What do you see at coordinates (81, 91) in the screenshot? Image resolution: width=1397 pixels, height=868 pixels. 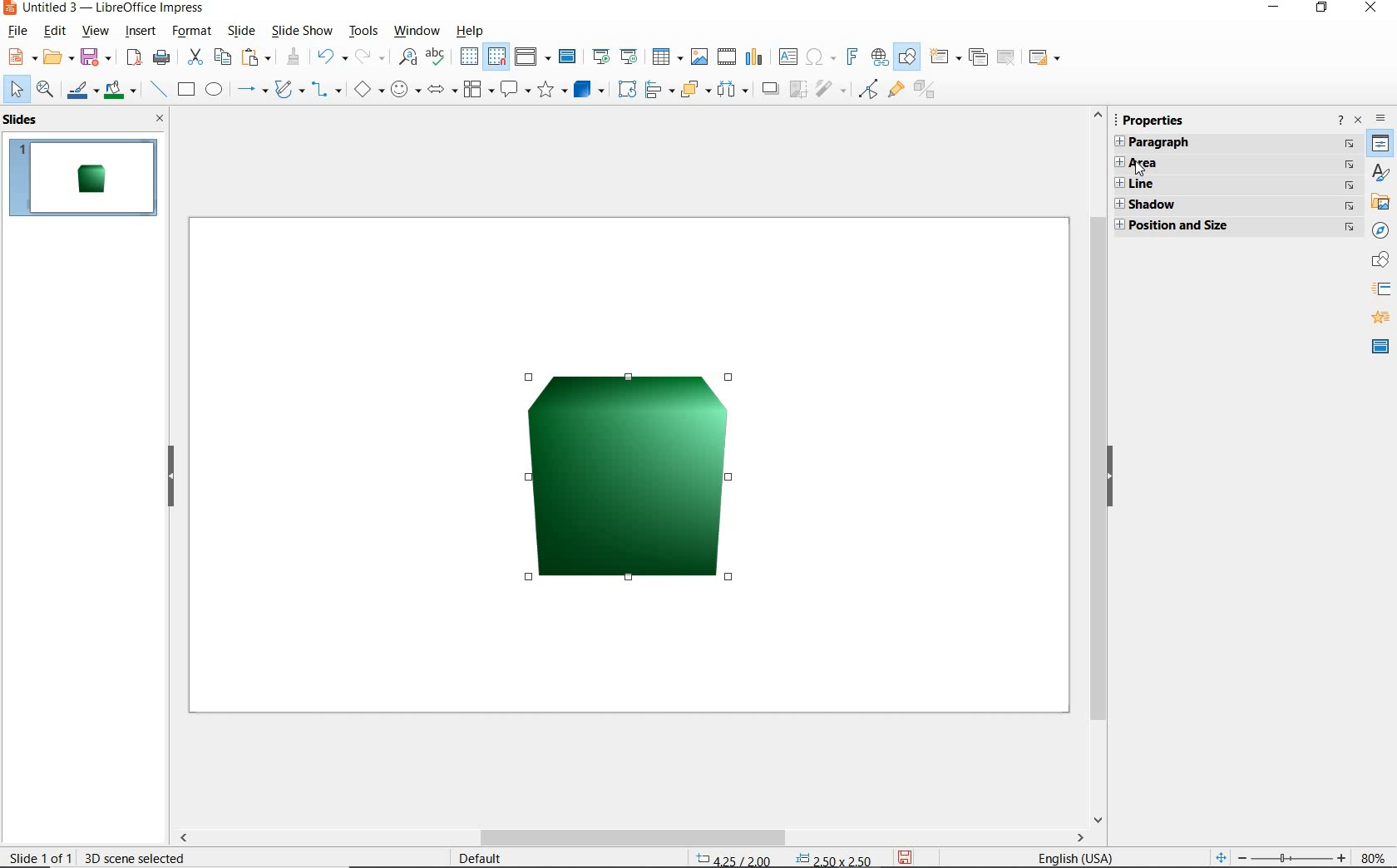 I see `line color` at bounding box center [81, 91].